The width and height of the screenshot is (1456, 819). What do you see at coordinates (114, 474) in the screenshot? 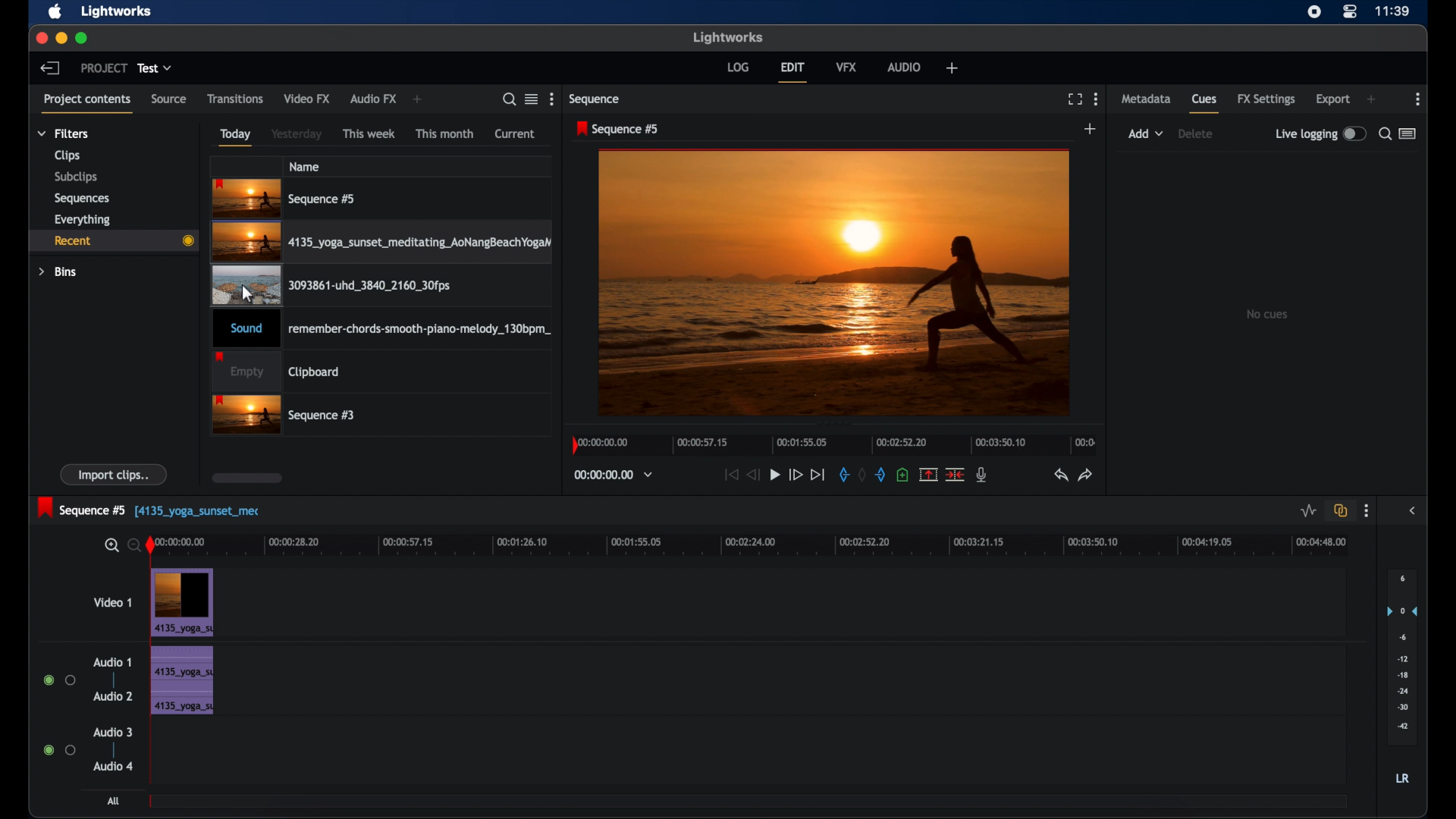
I see `import clips` at bounding box center [114, 474].